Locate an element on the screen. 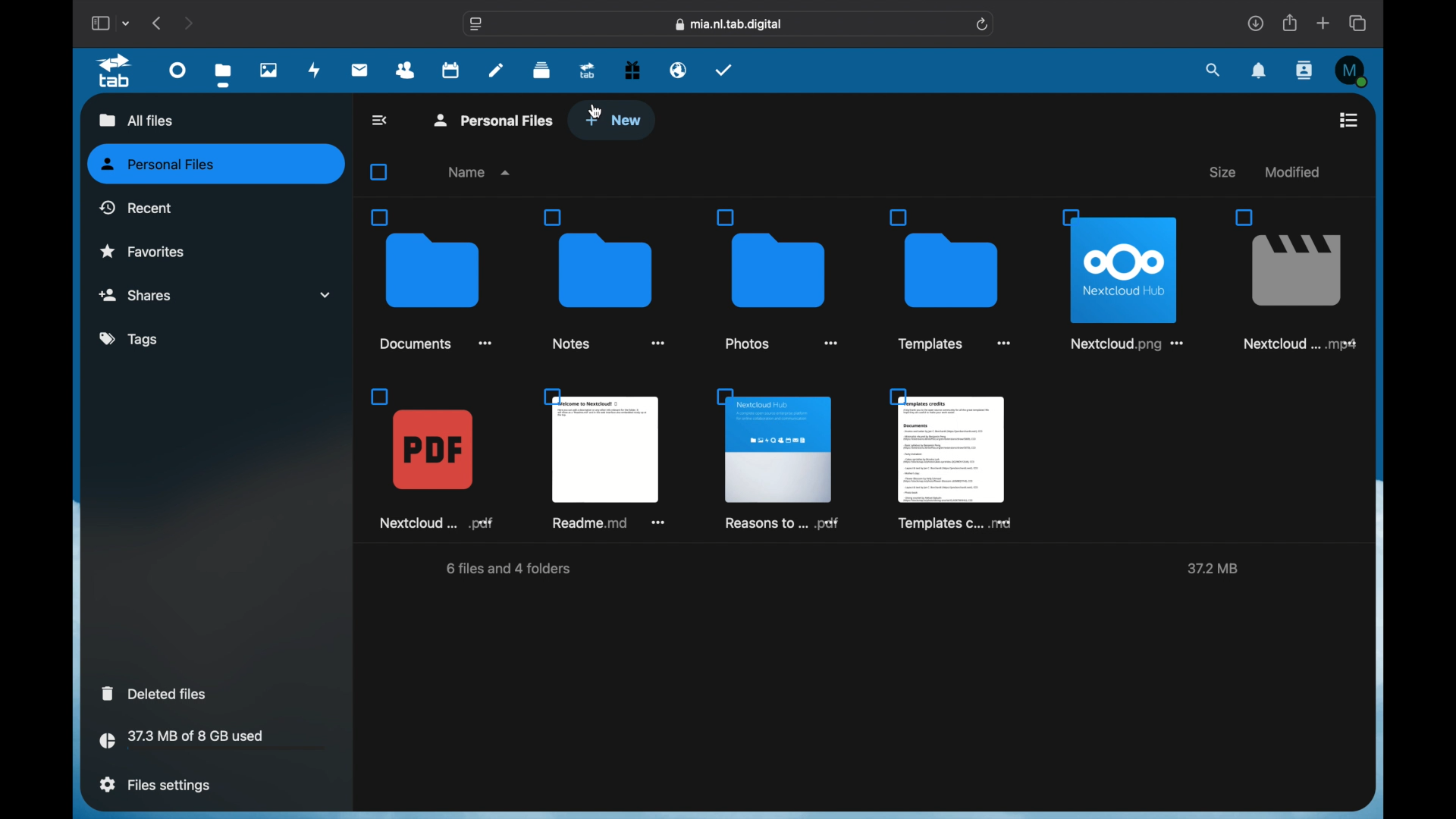  storage is located at coordinates (212, 742).